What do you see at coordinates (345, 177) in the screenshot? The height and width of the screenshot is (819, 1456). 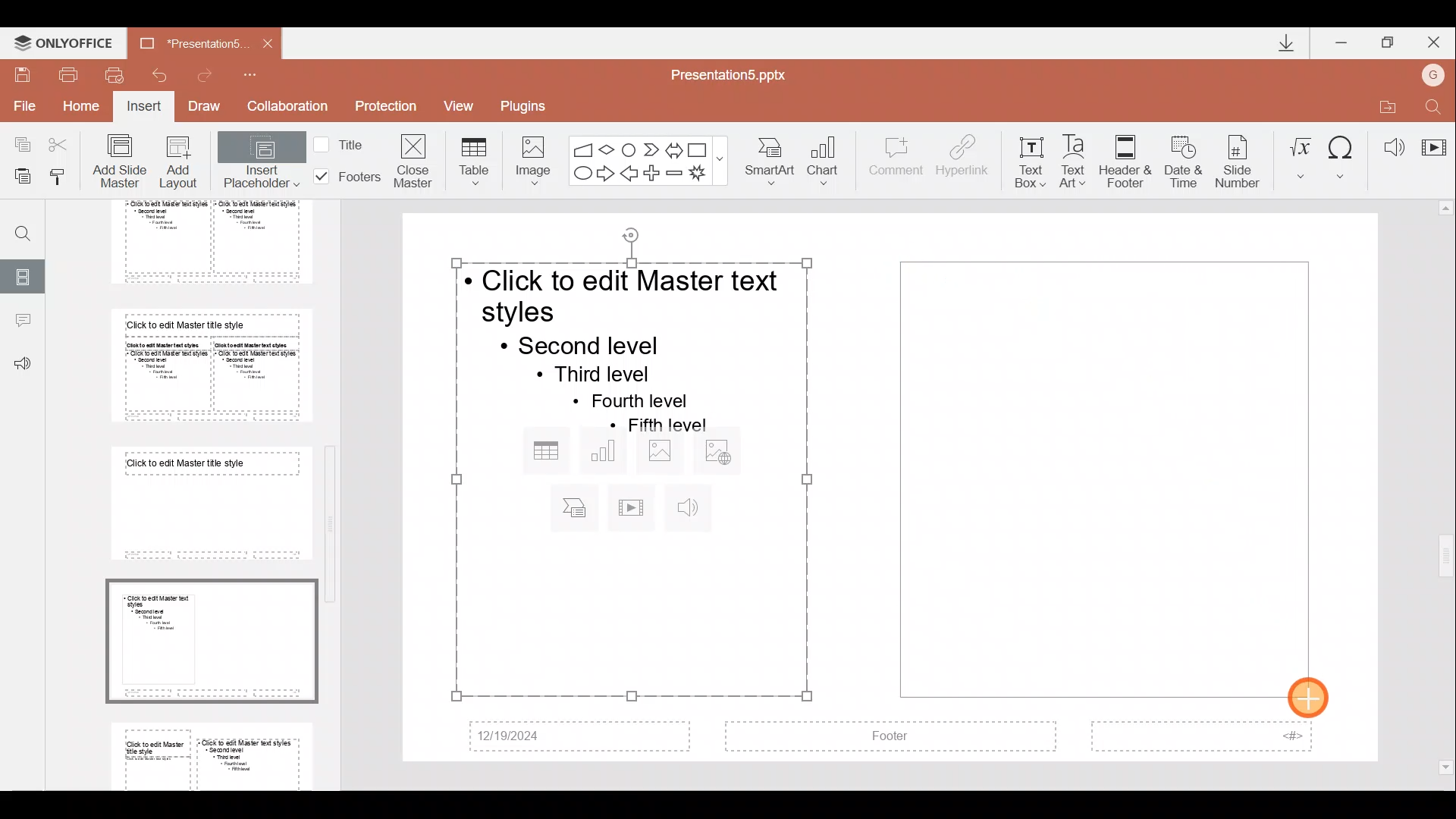 I see `Footers` at bounding box center [345, 177].